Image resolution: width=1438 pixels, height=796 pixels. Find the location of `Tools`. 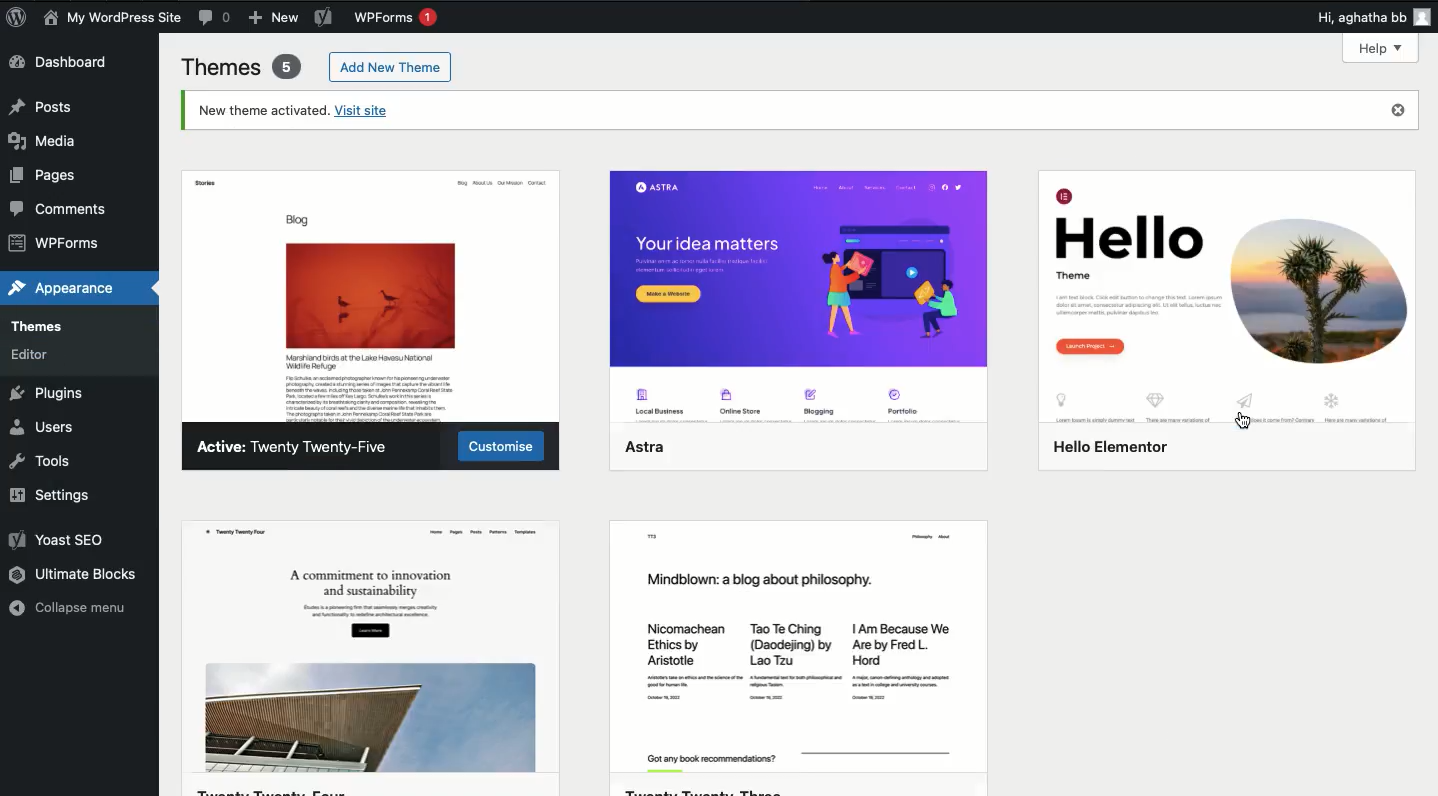

Tools is located at coordinates (39, 458).